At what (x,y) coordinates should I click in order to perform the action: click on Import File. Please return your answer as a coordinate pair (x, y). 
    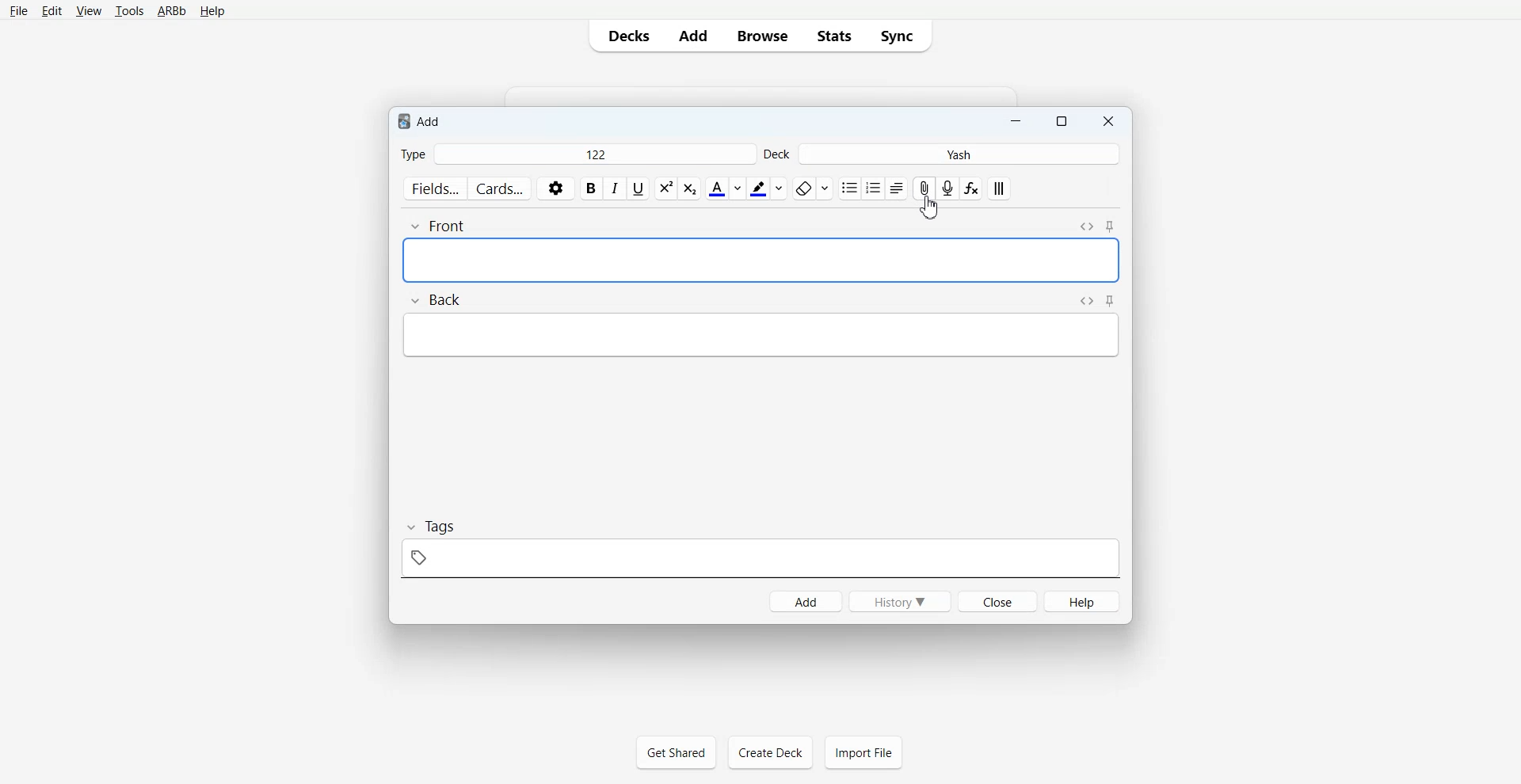
    Looking at the image, I should click on (863, 752).